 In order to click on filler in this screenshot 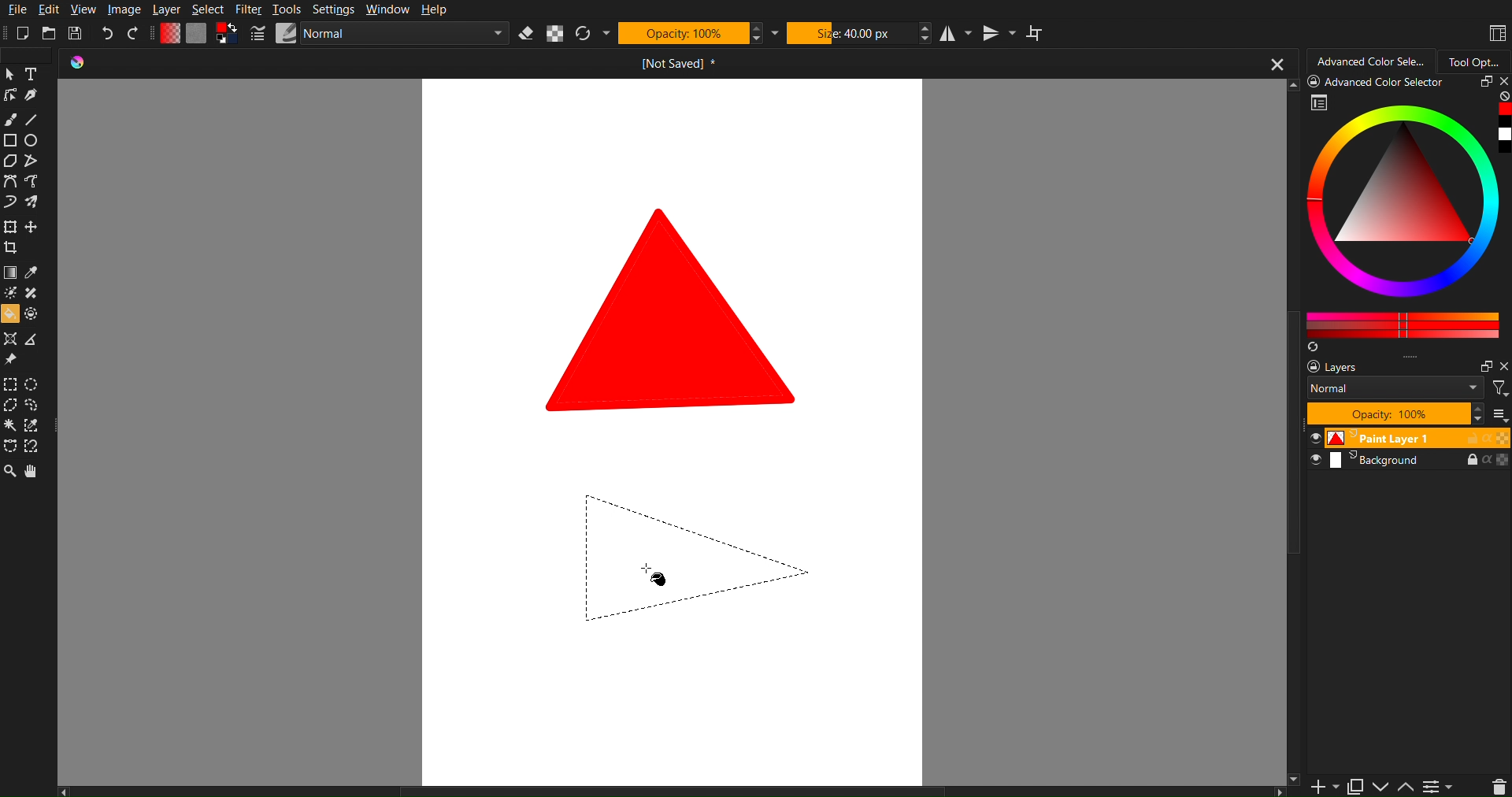, I will do `click(9, 316)`.